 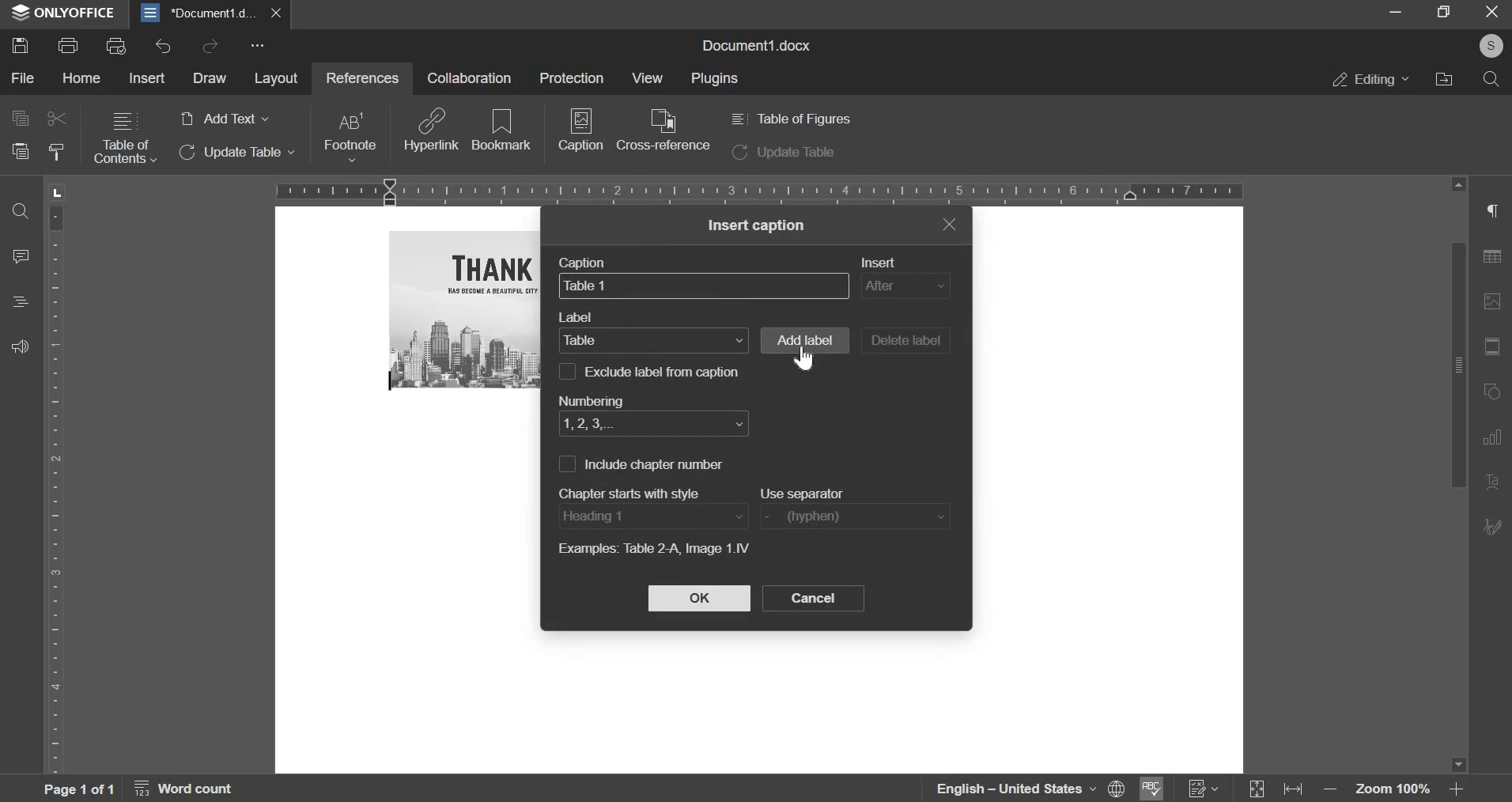 I want to click on L, so click(x=59, y=191).